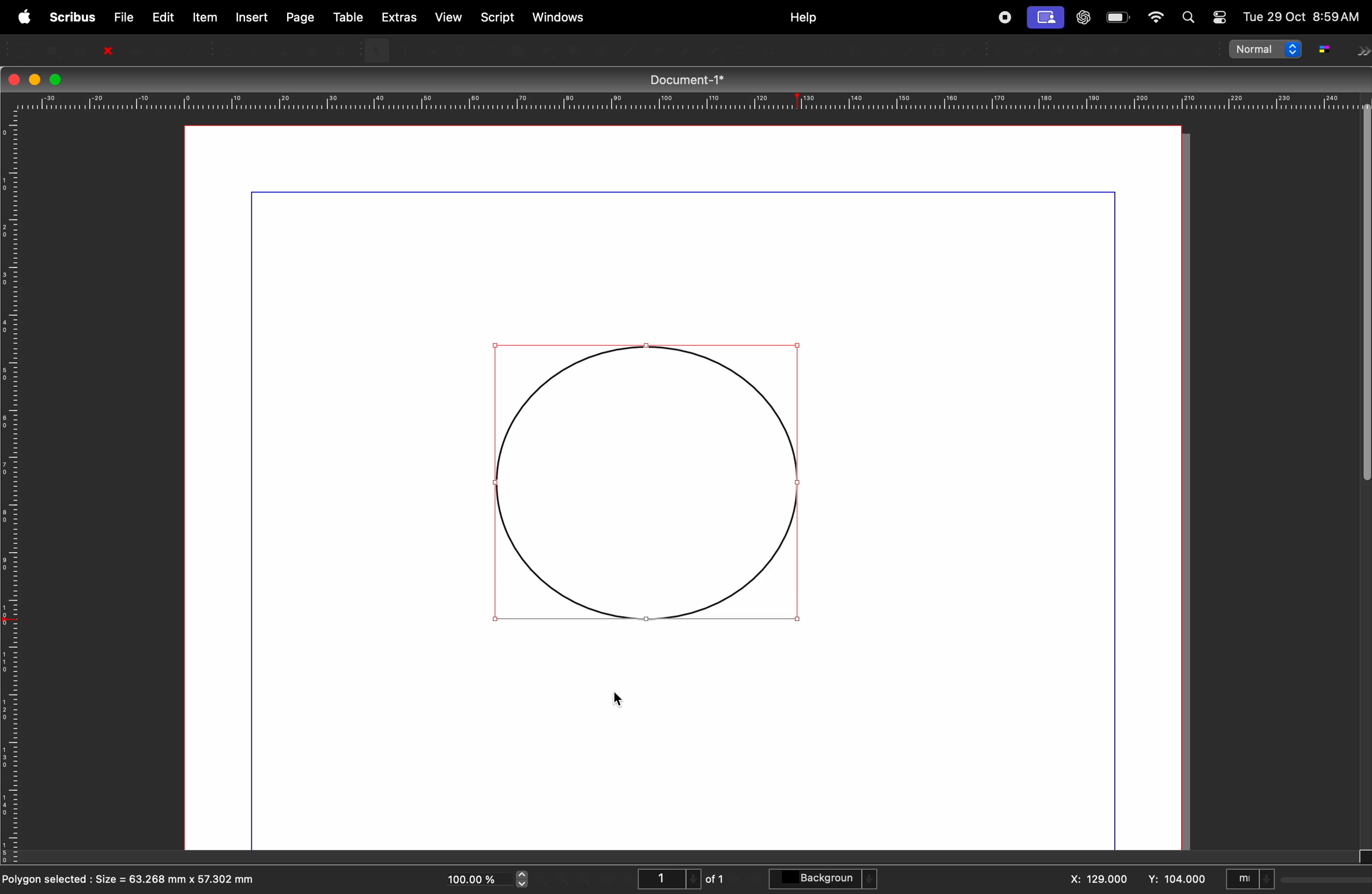 This screenshot has width=1372, height=894. What do you see at coordinates (572, 50) in the screenshot?
I see `Arc` at bounding box center [572, 50].